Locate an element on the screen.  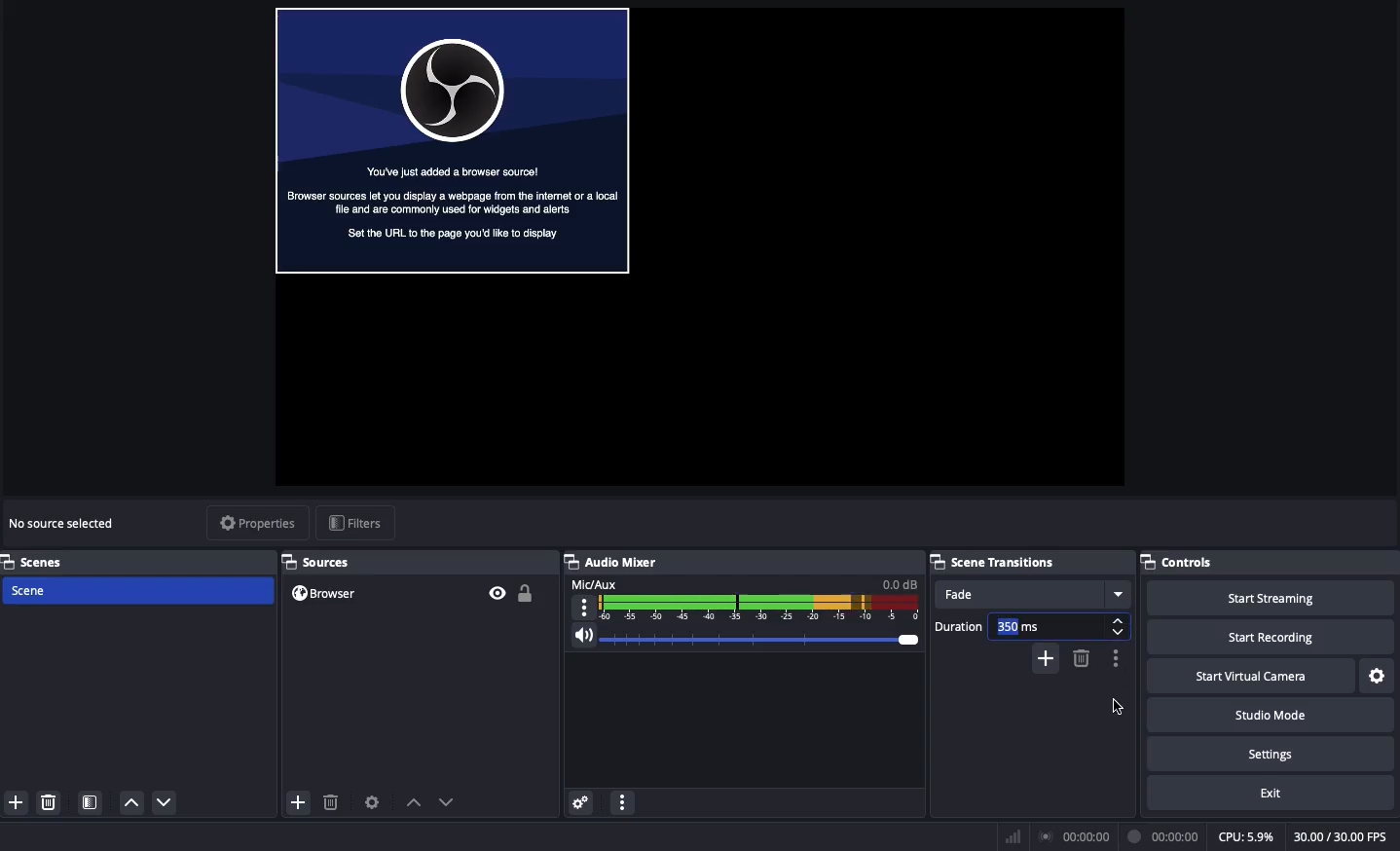
Scene is located at coordinates (136, 590).